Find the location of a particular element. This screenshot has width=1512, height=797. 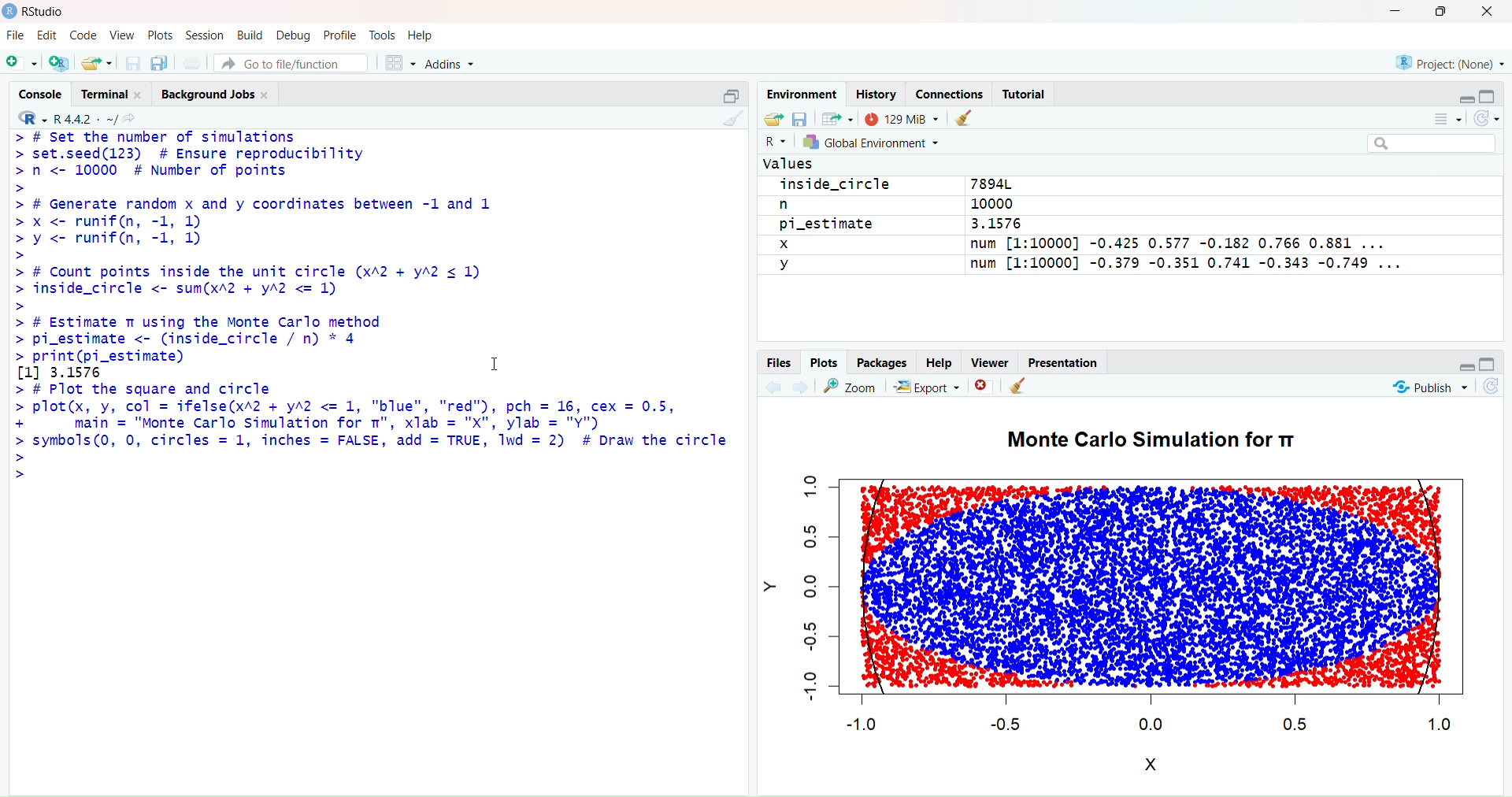

Clear console (Ctrl + L) is located at coordinates (734, 117).